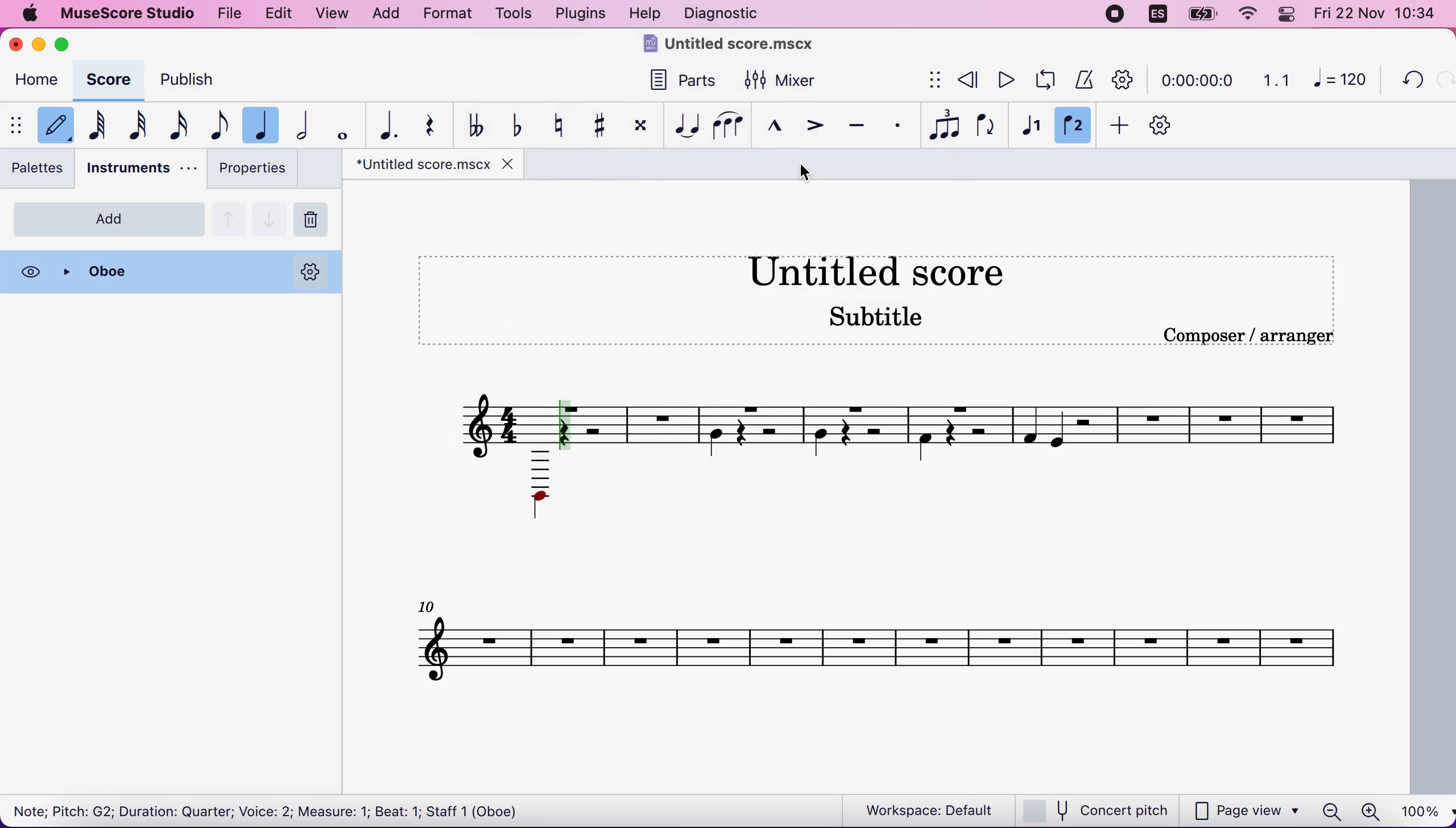 This screenshot has height=828, width=1456. I want to click on marcato, so click(781, 127).